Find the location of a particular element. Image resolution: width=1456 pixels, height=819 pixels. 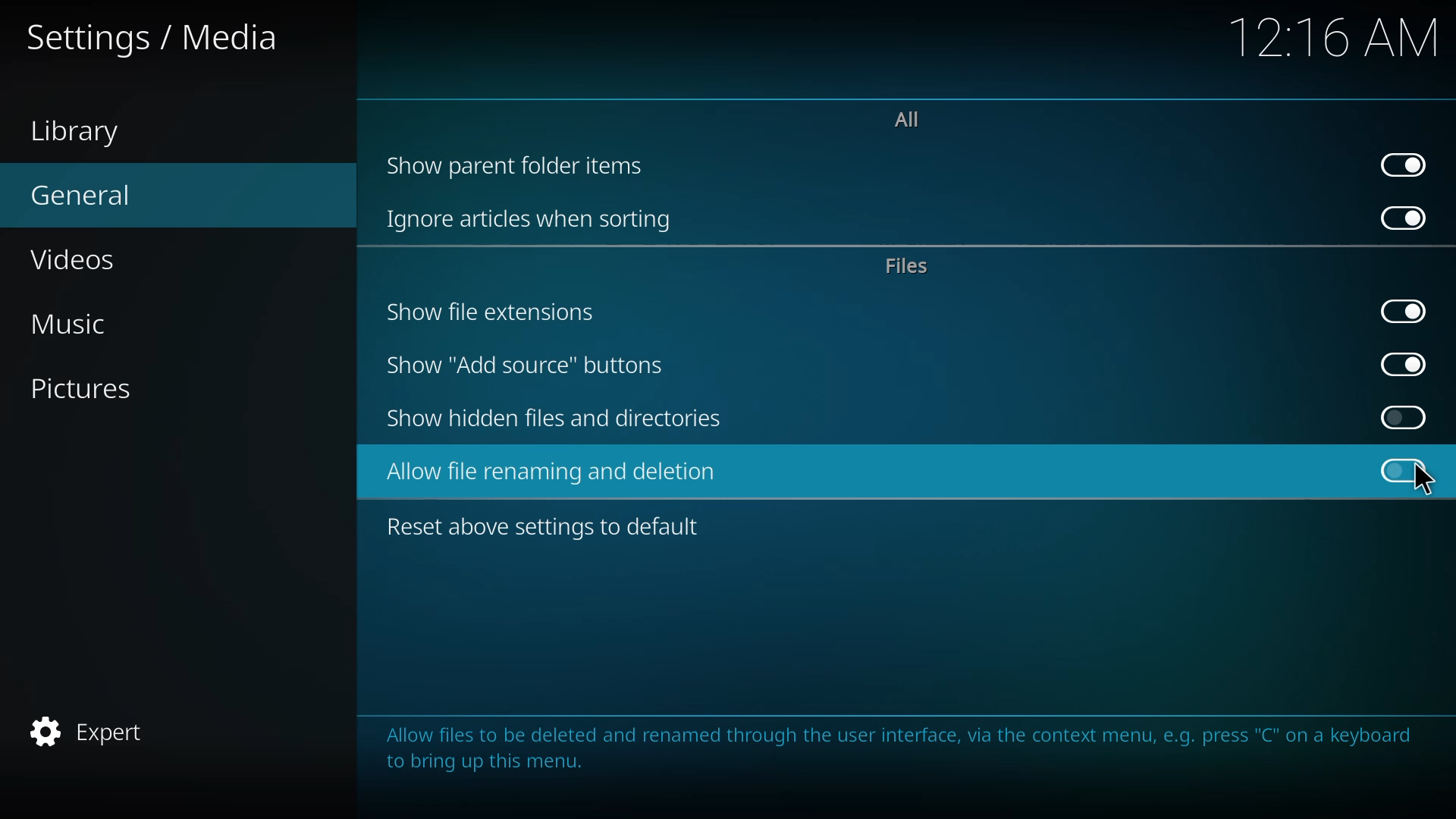

all is located at coordinates (906, 117).